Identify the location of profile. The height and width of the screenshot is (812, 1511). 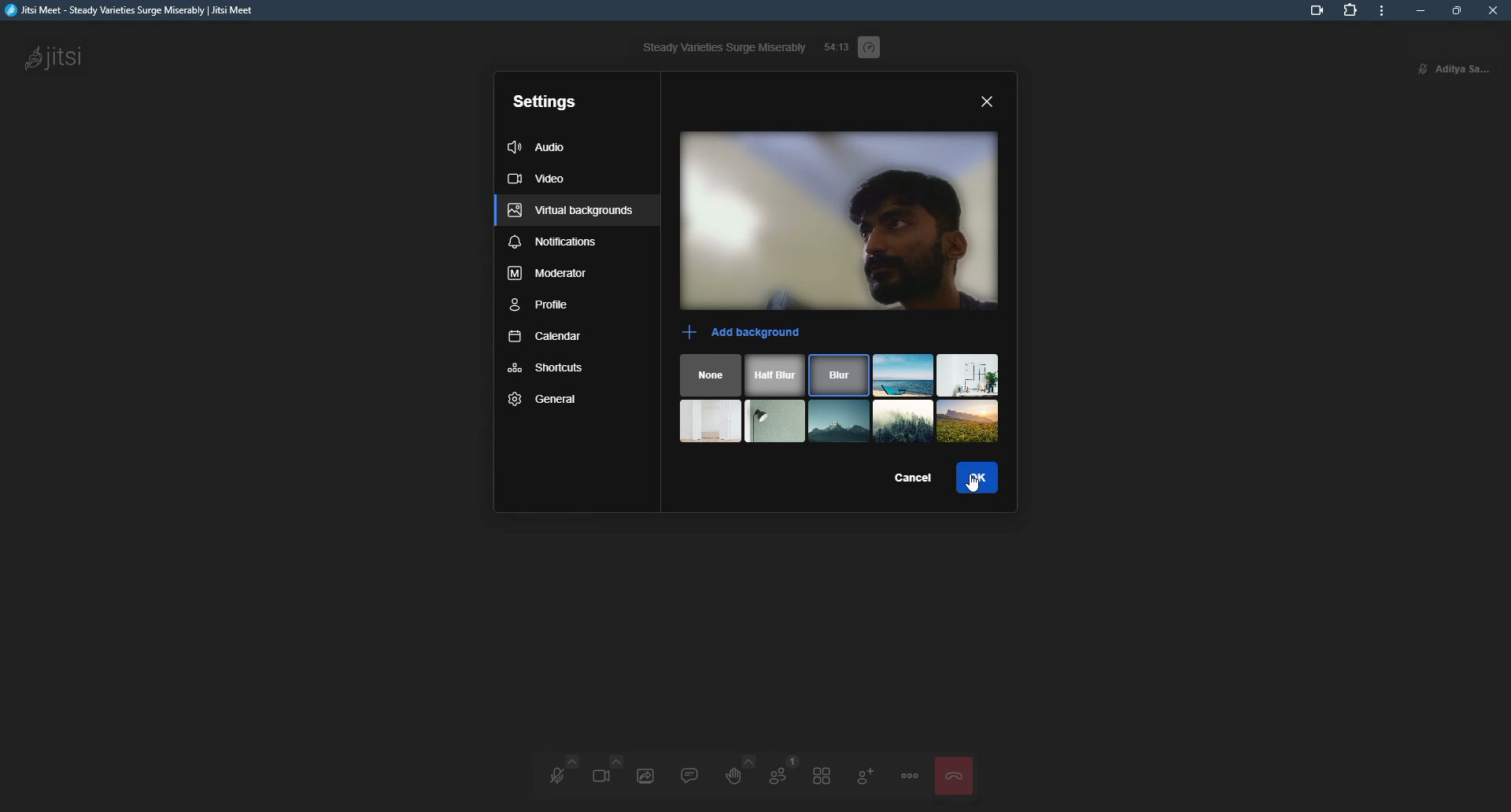
(1469, 55).